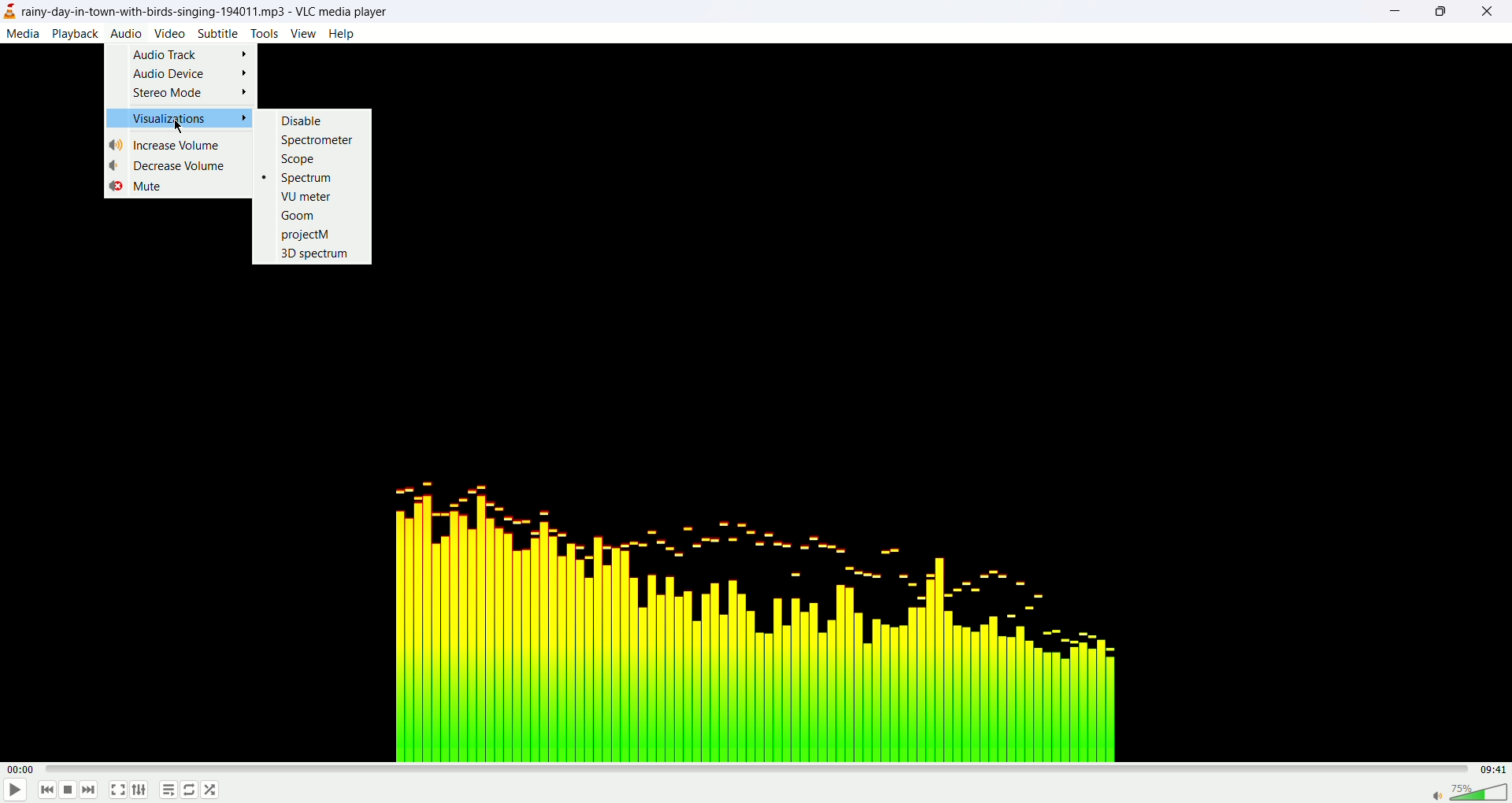 The width and height of the screenshot is (1512, 803). I want to click on media, so click(22, 33).